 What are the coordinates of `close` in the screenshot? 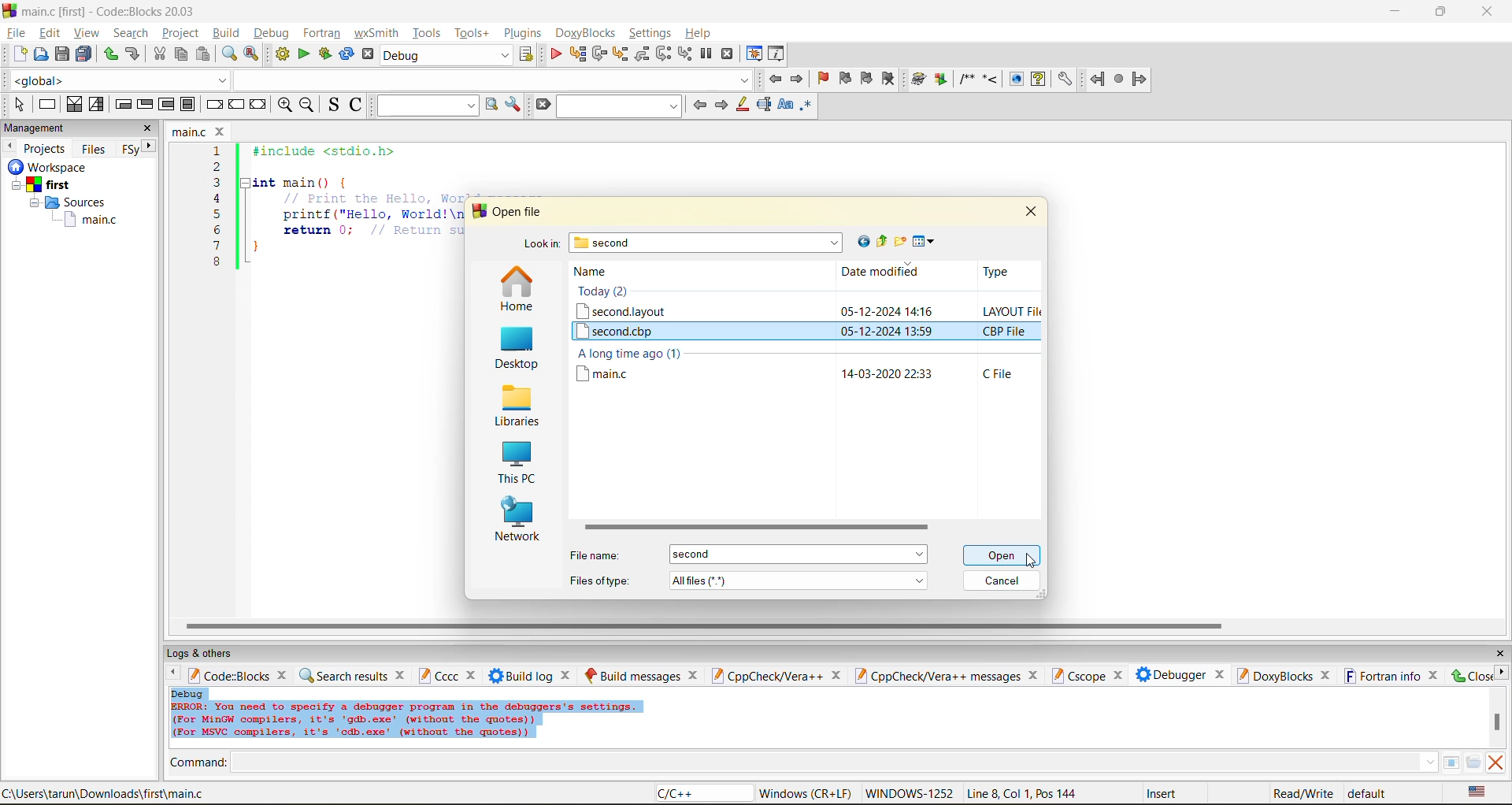 It's located at (284, 674).